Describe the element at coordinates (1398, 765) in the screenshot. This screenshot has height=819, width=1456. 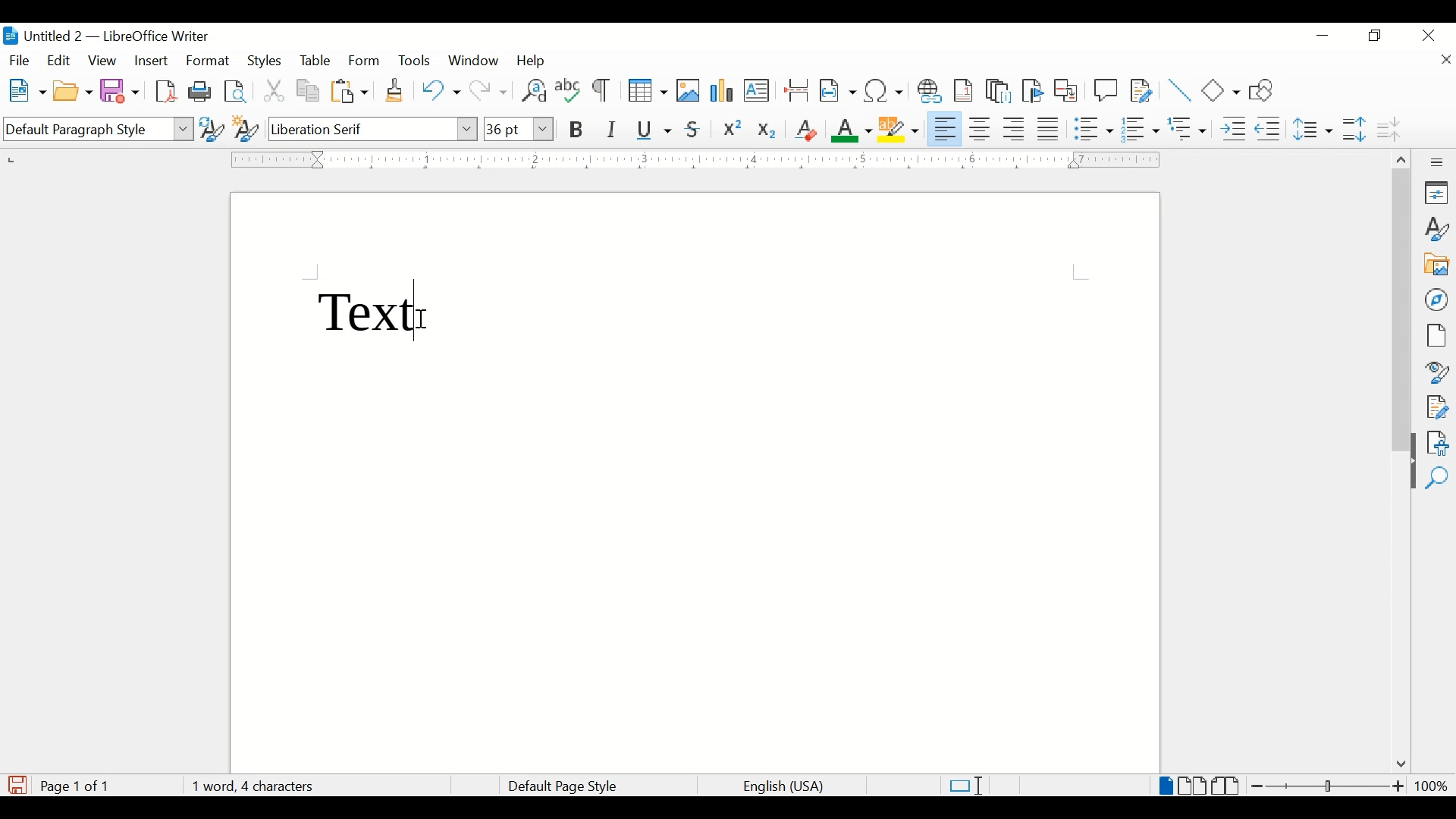
I see `scroll down arrow` at that location.